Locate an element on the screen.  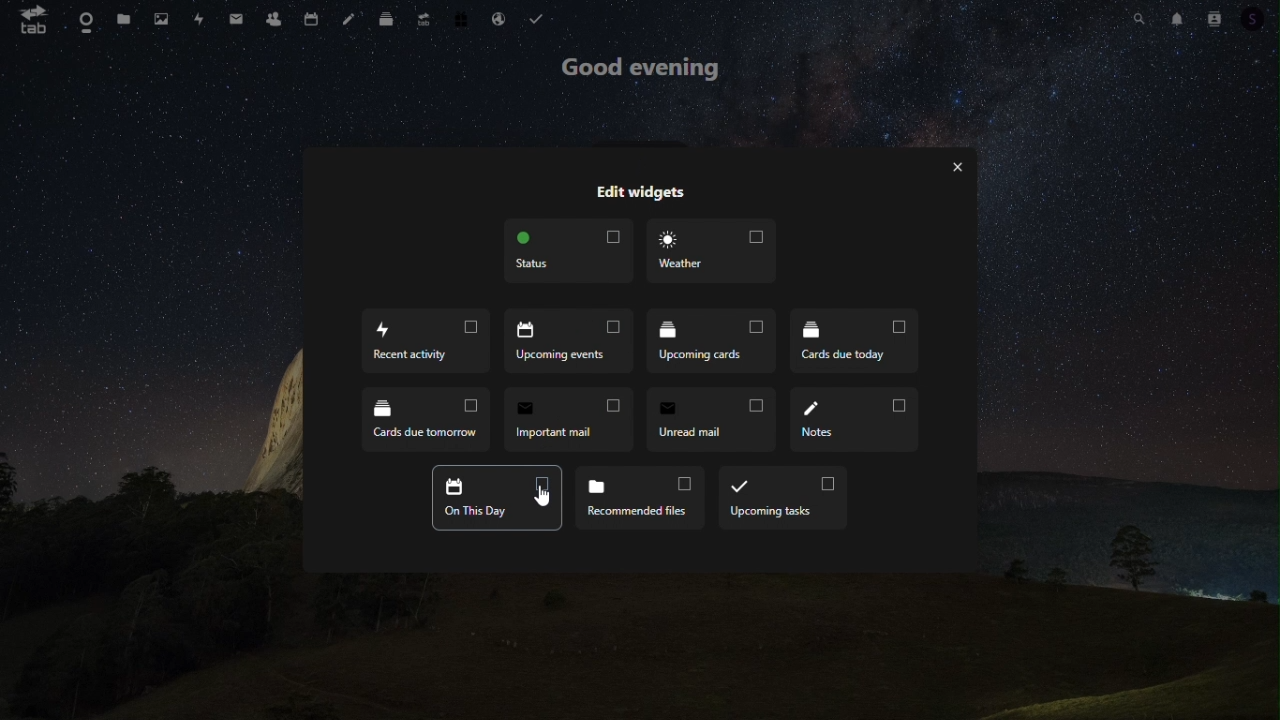
Weather is located at coordinates (710, 251).